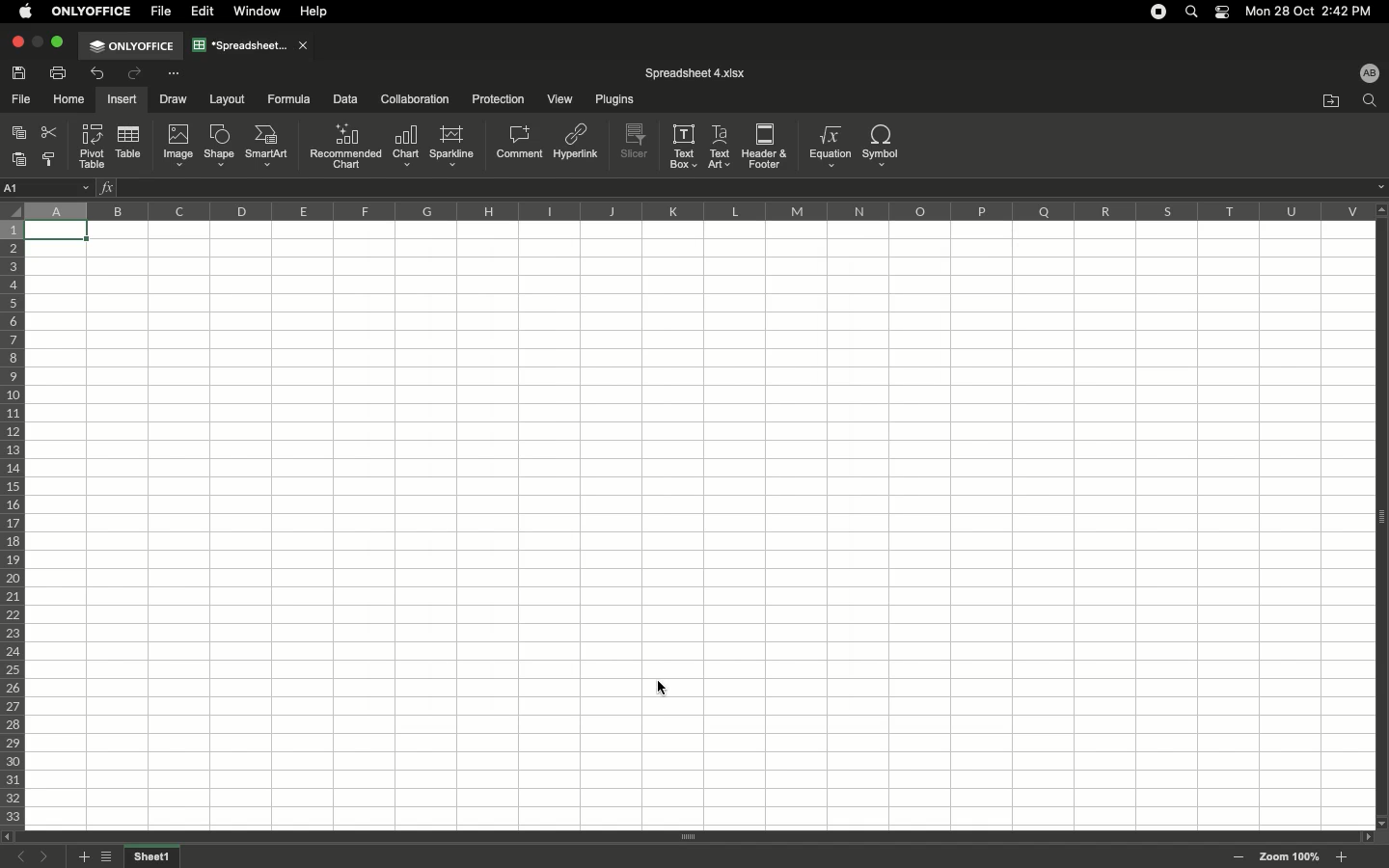  What do you see at coordinates (69, 100) in the screenshot?
I see `Home` at bounding box center [69, 100].